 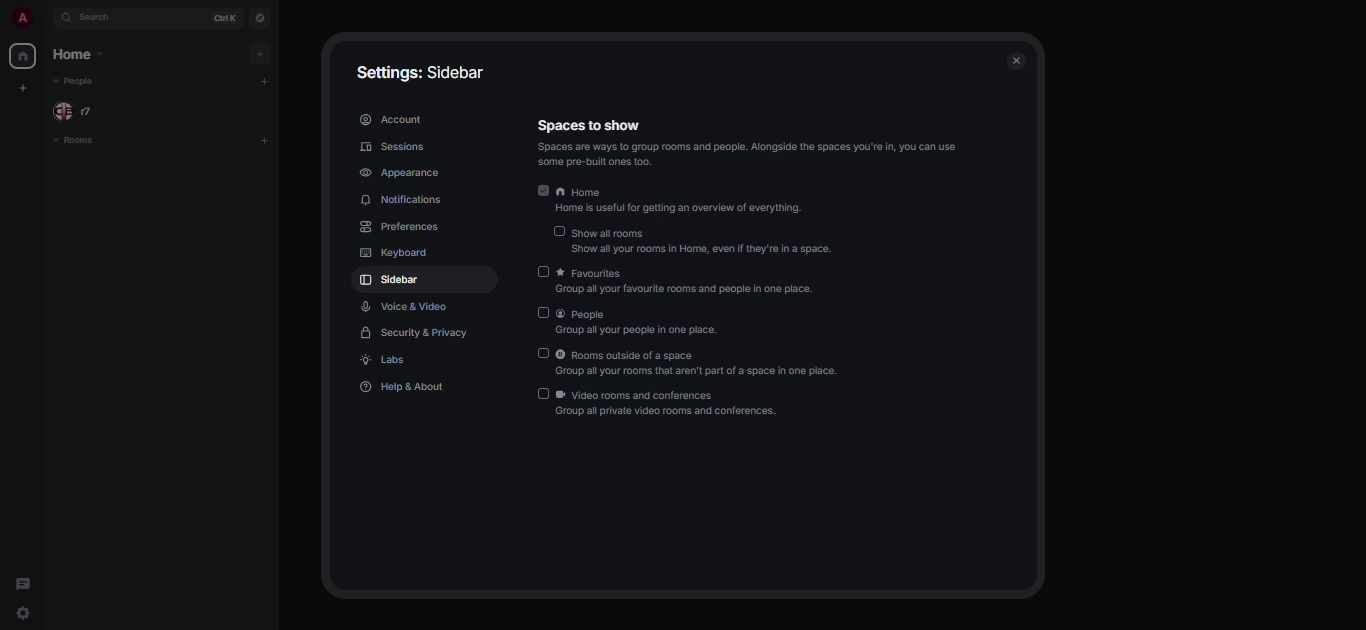 I want to click on keyboard, so click(x=396, y=253).